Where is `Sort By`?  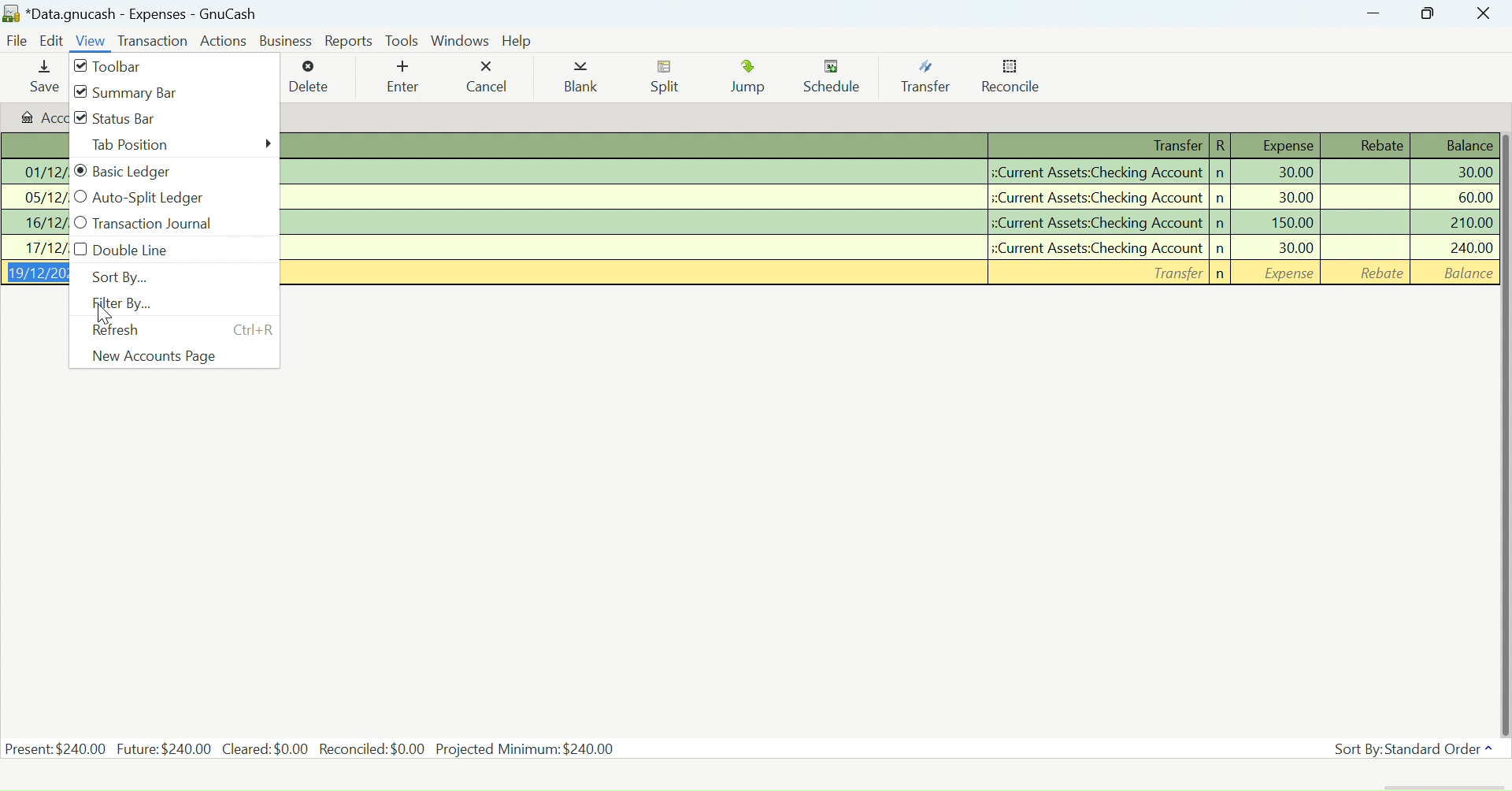 Sort By is located at coordinates (154, 277).